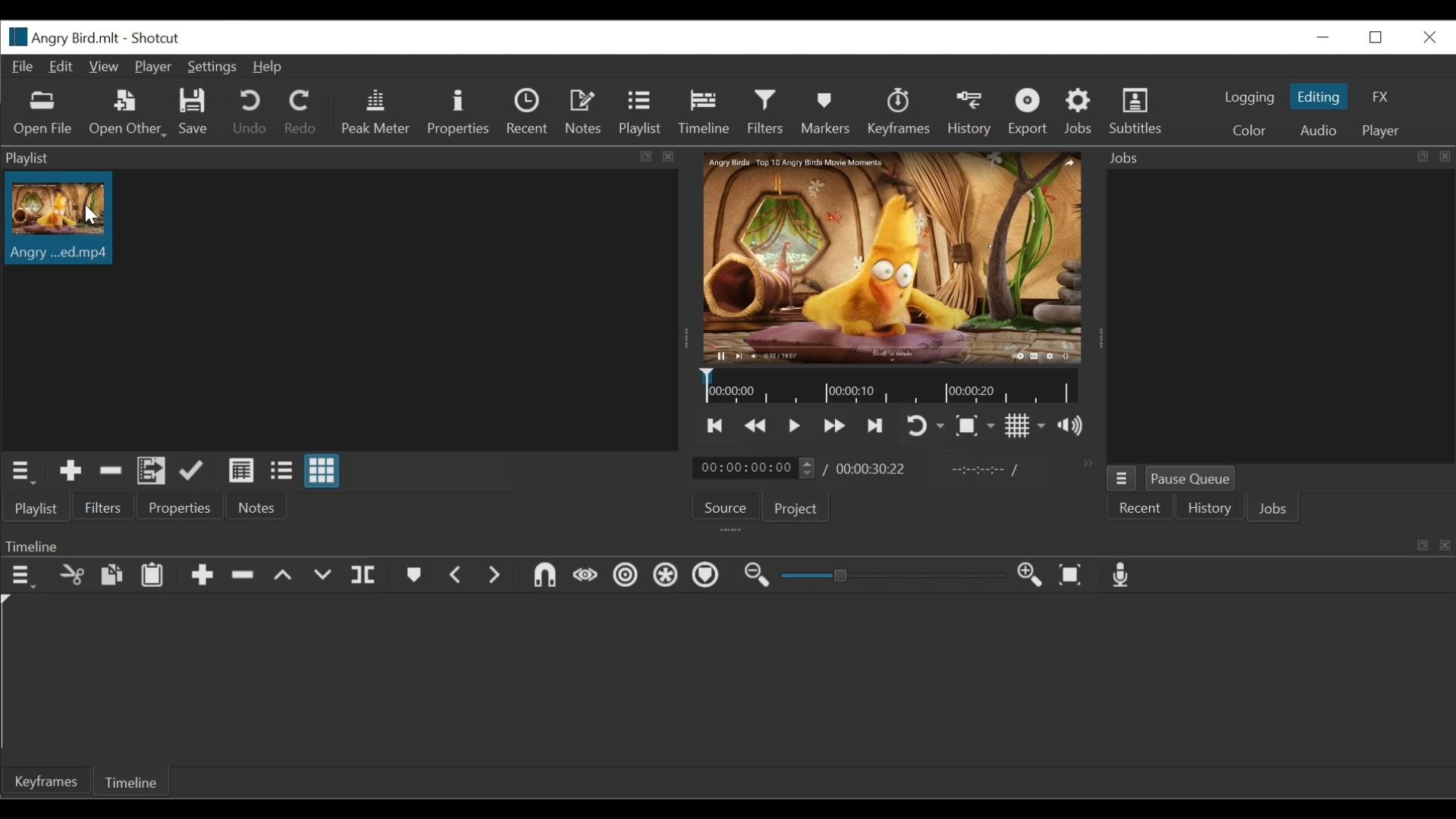  I want to click on Peak Meter, so click(372, 111).